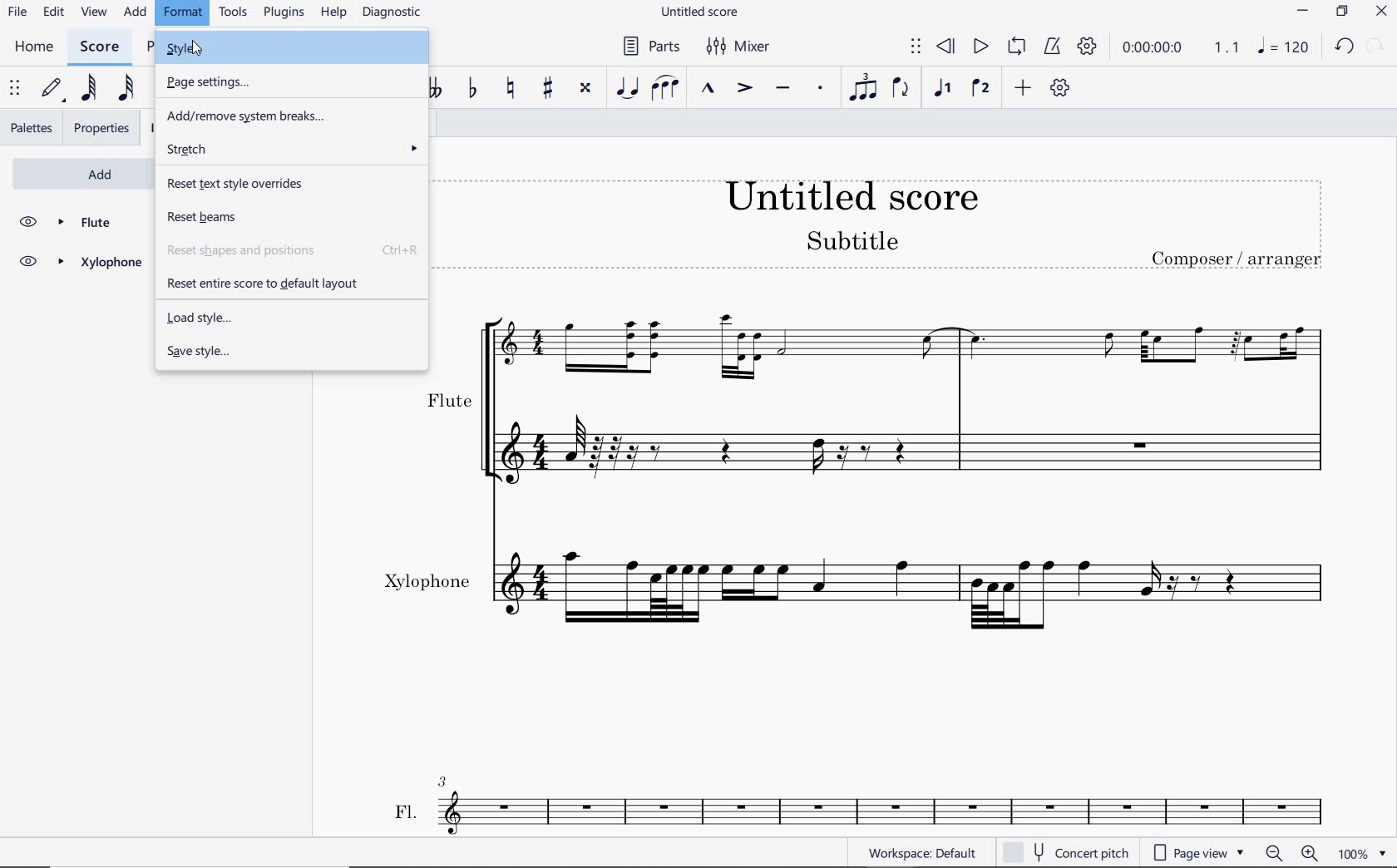 This screenshot has width=1397, height=868. I want to click on TITLE, so click(890, 225).